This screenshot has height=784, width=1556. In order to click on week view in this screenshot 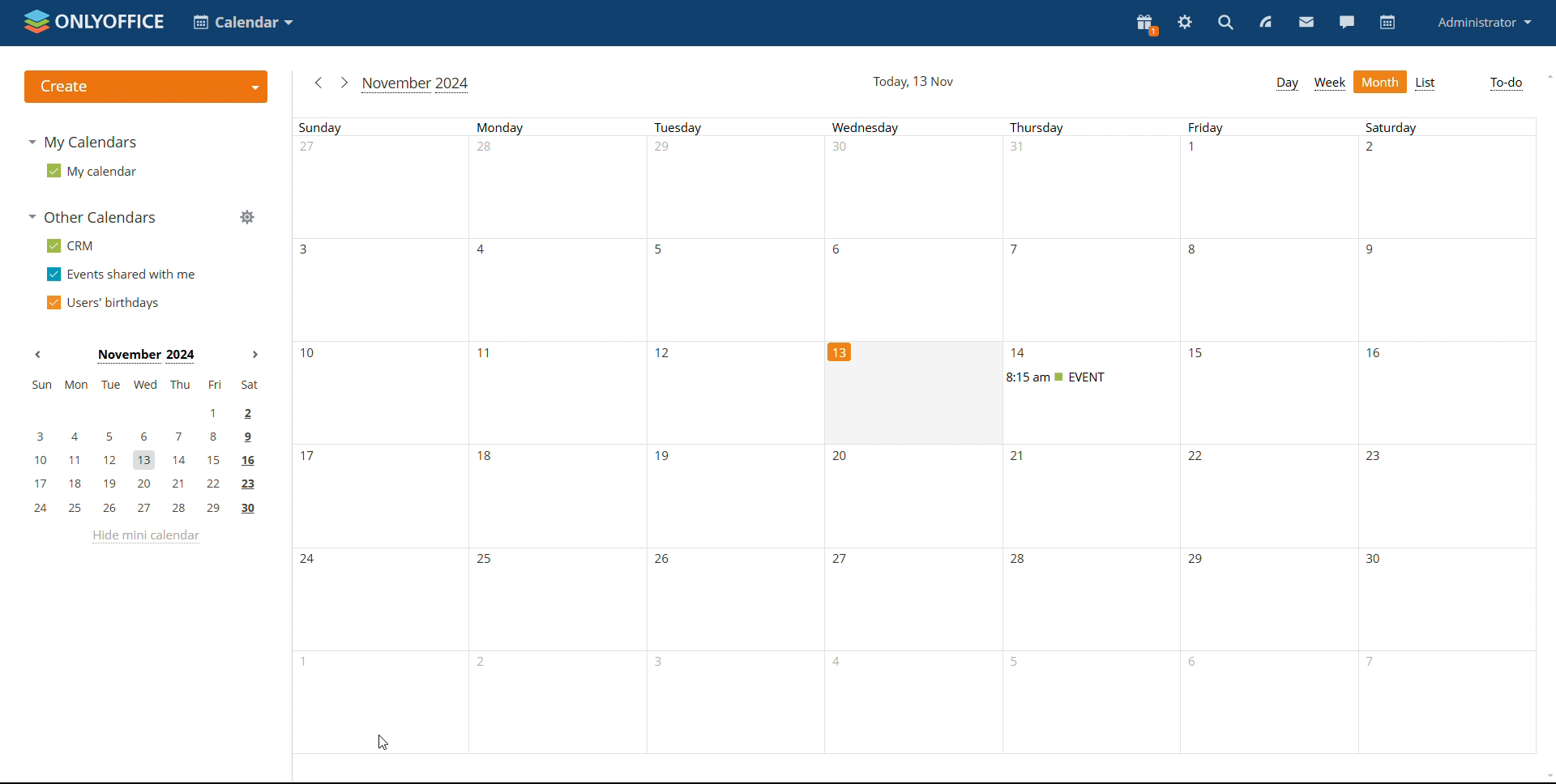, I will do `click(1331, 83)`.